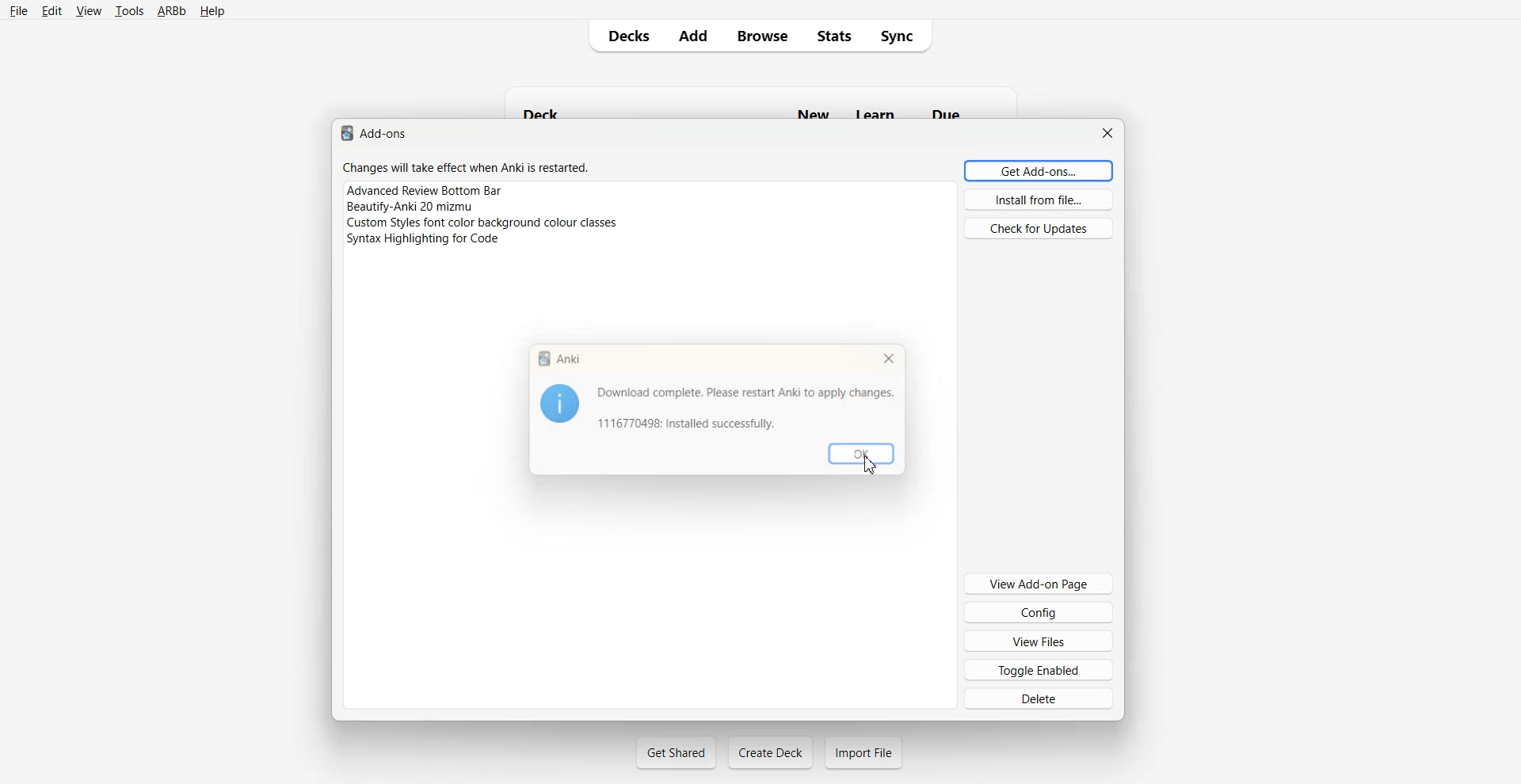 The height and width of the screenshot is (784, 1521). I want to click on tools, so click(128, 10).